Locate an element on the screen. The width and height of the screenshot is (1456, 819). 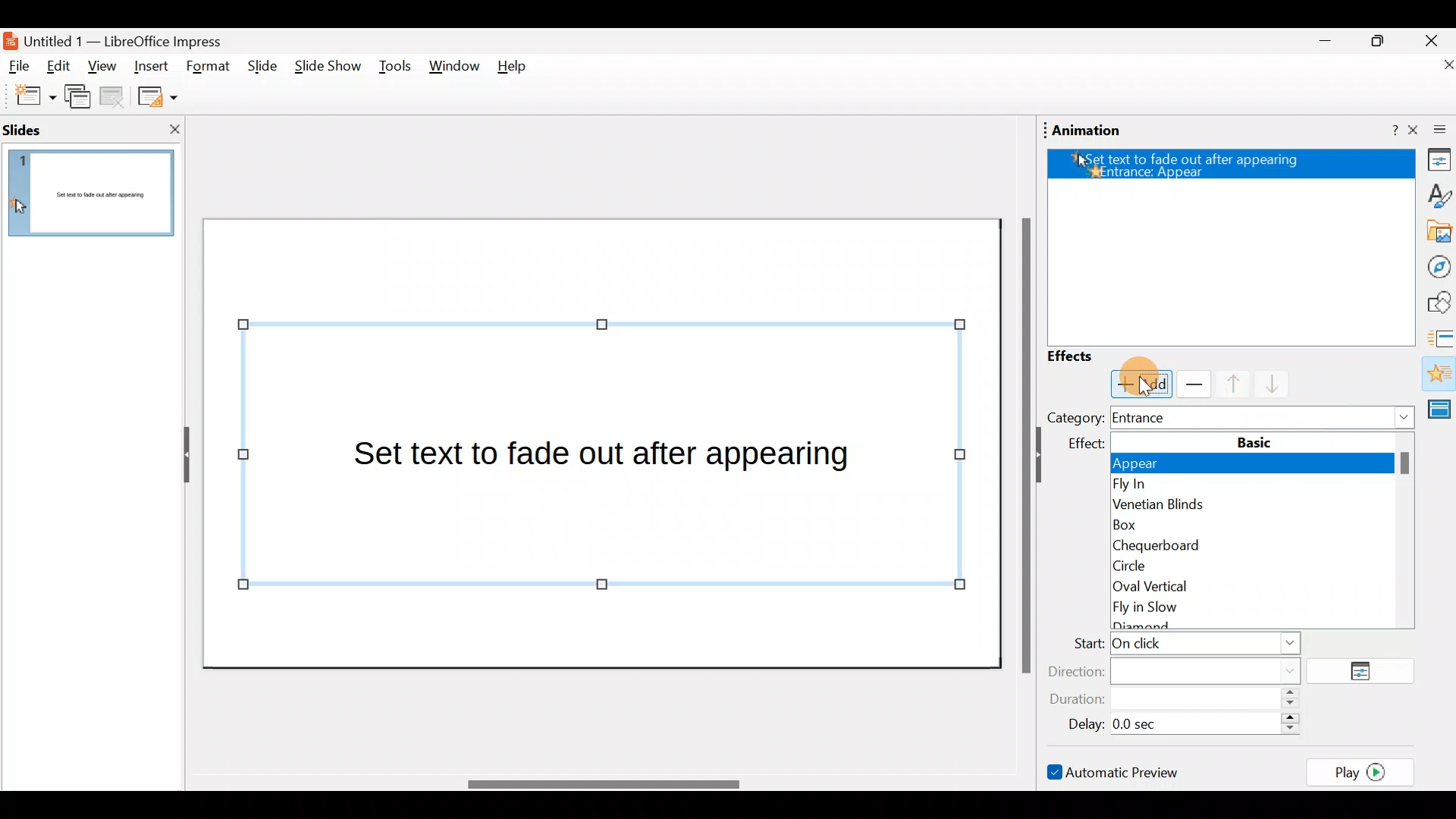
Hide is located at coordinates (180, 456).